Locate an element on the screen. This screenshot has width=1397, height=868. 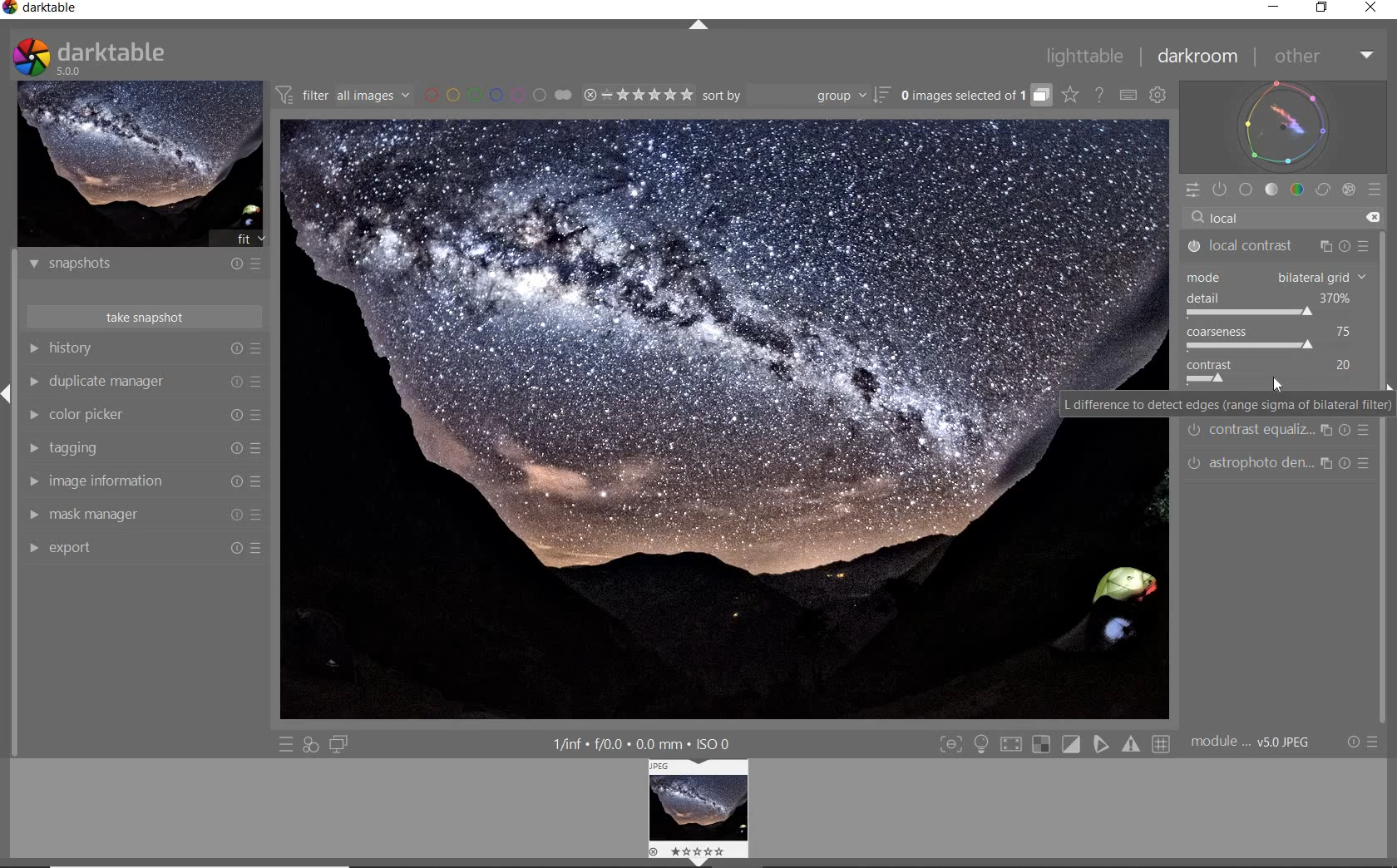
Presets and preferences is located at coordinates (262, 481).